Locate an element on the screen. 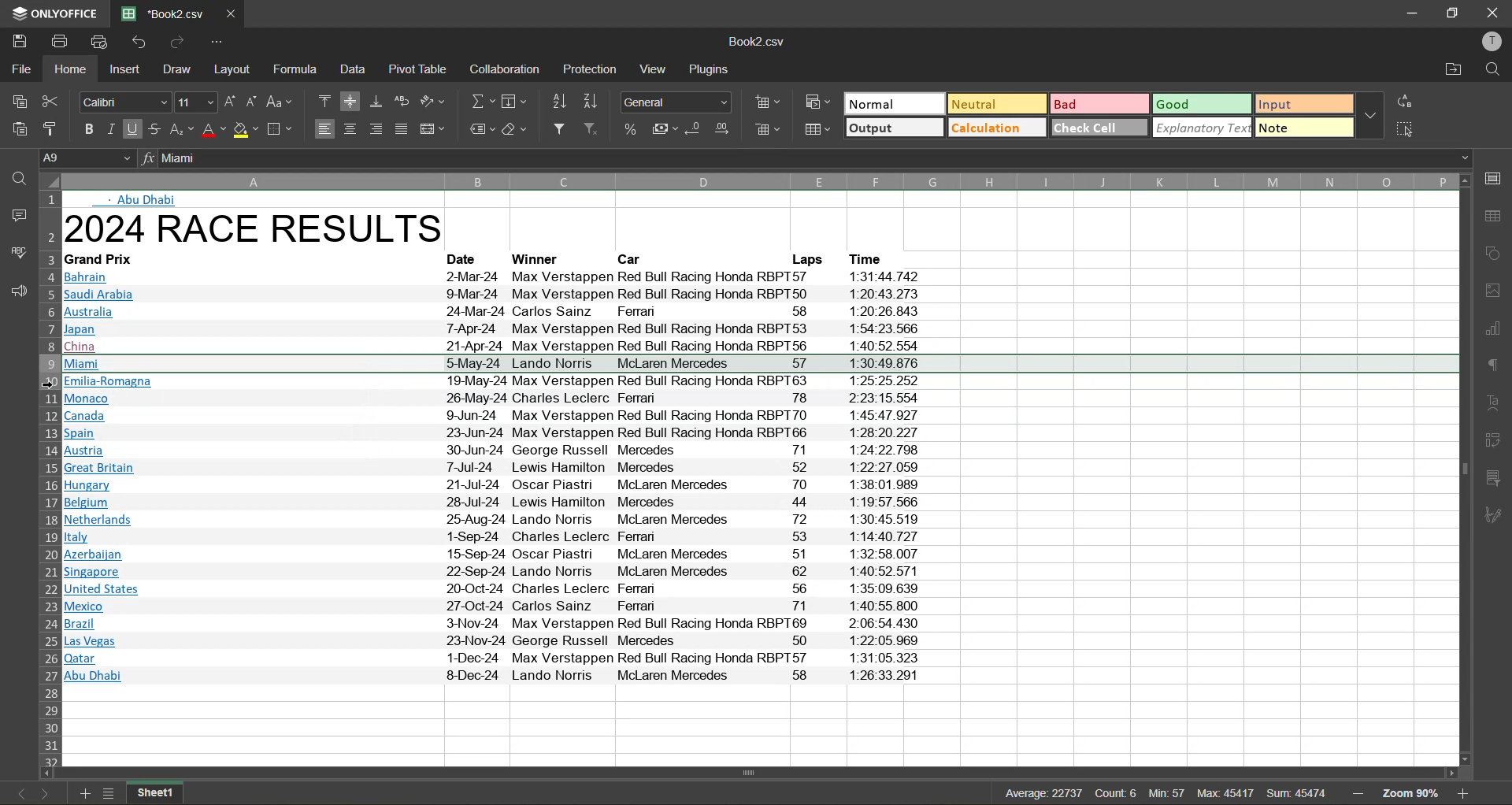 The image size is (1512, 805). zoom in is located at coordinates (1466, 794).